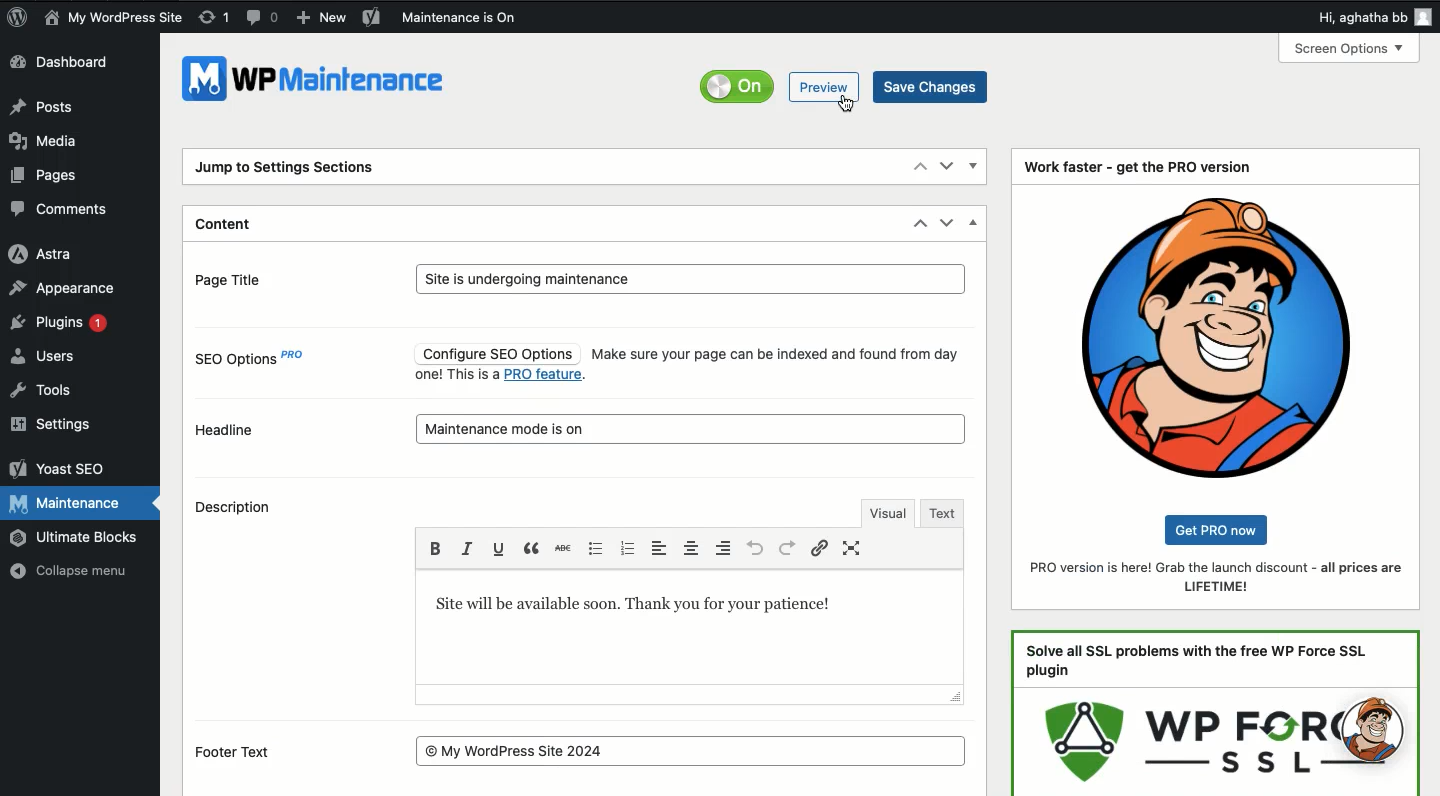  Describe the element at coordinates (975, 221) in the screenshot. I see `Hide` at that location.